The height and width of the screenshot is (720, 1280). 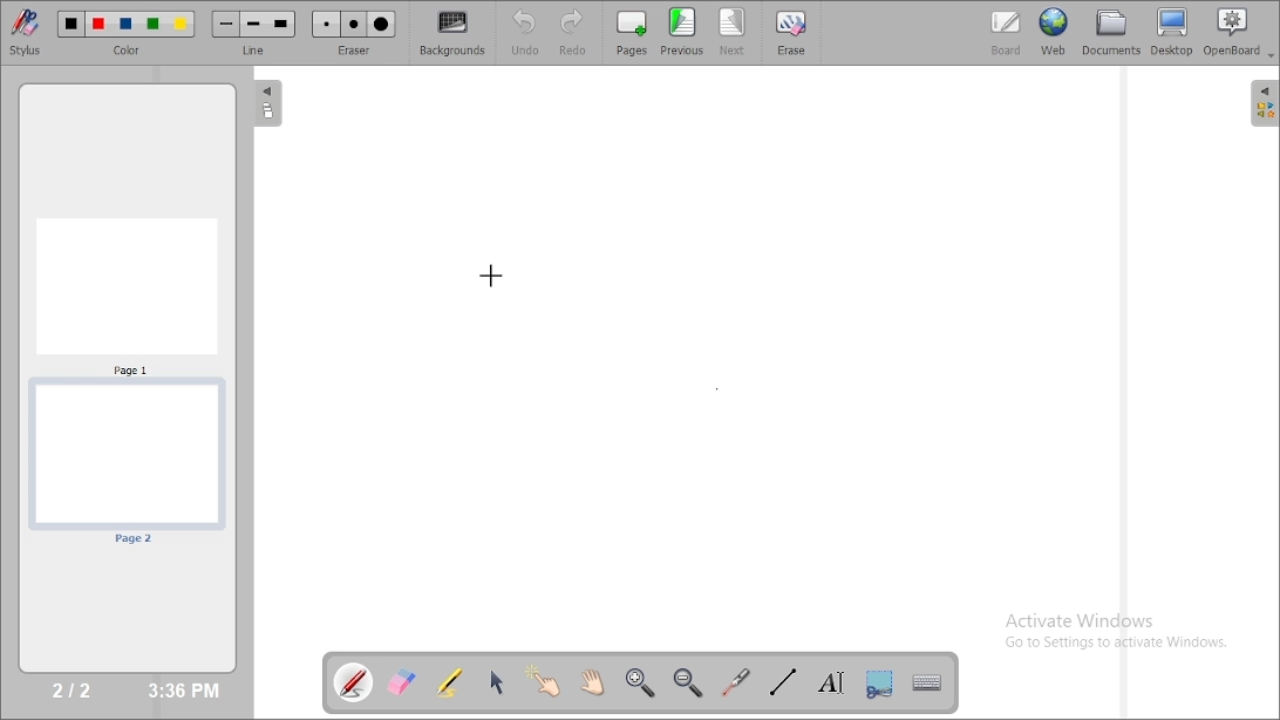 I want to click on write text, so click(x=831, y=683).